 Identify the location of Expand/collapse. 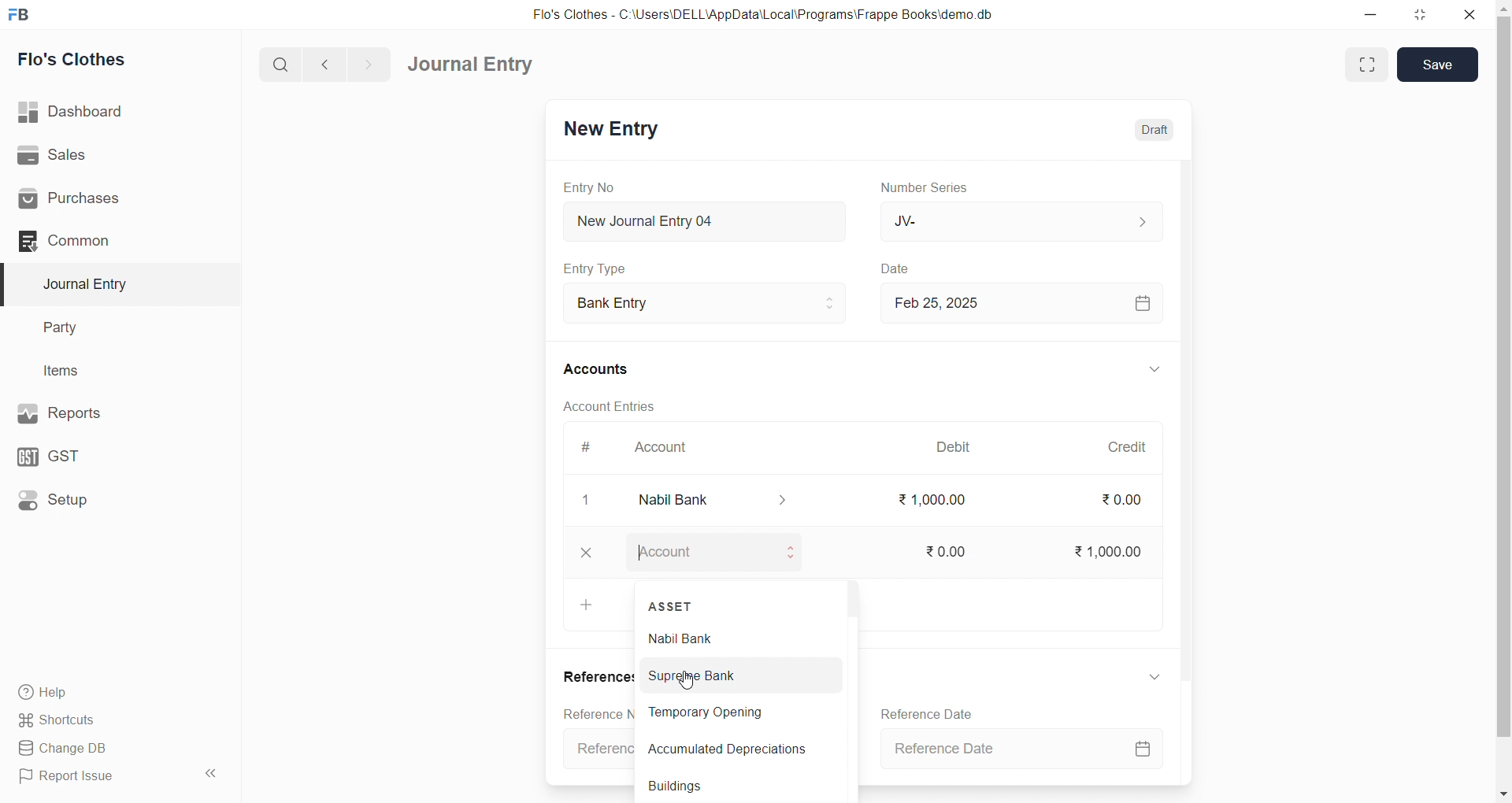
(1154, 676).